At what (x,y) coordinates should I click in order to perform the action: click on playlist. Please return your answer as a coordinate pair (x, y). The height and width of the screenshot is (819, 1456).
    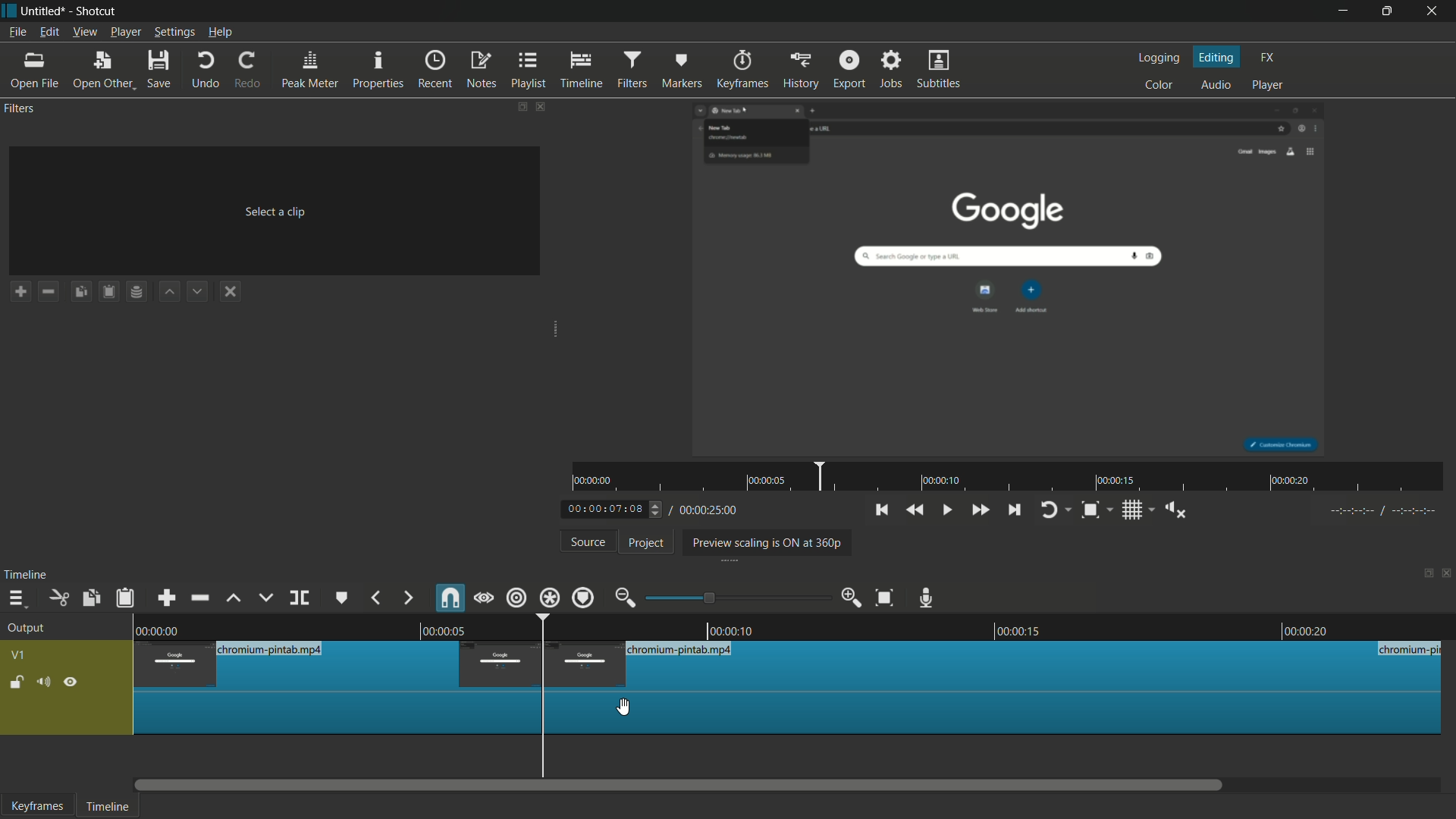
    Looking at the image, I should click on (529, 69).